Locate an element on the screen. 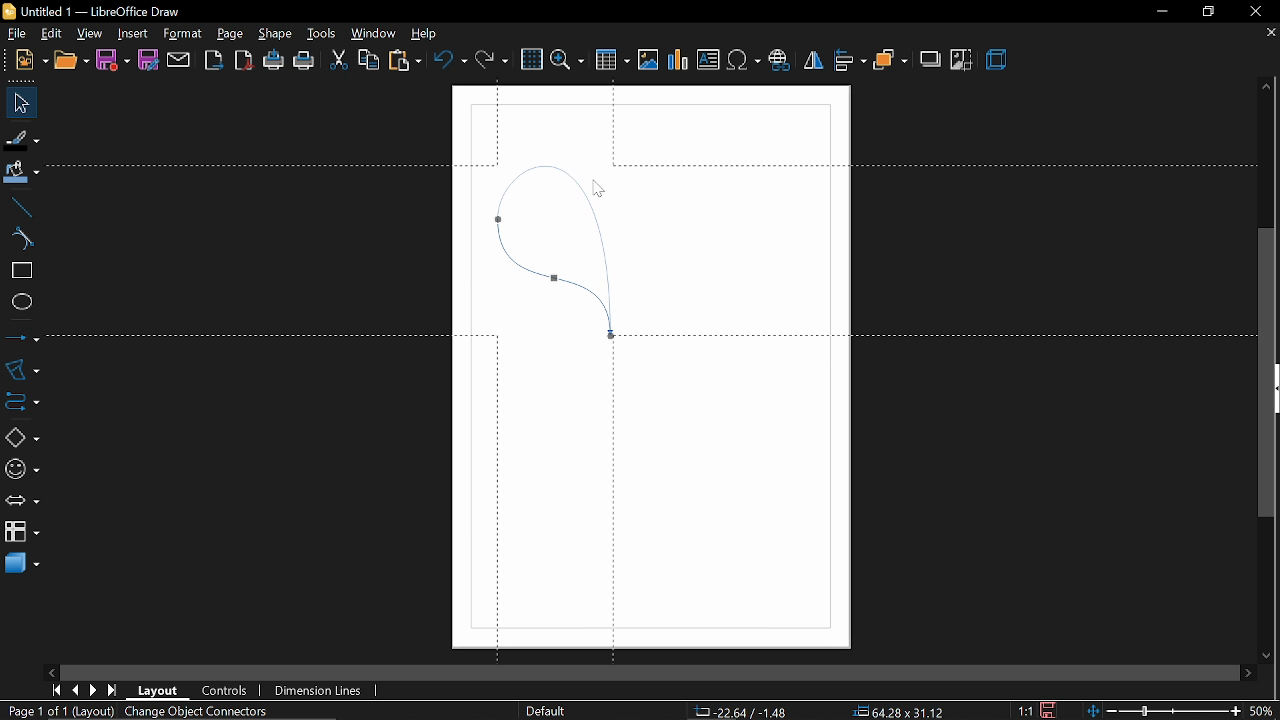 The image size is (1280, 720). view is located at coordinates (90, 32).